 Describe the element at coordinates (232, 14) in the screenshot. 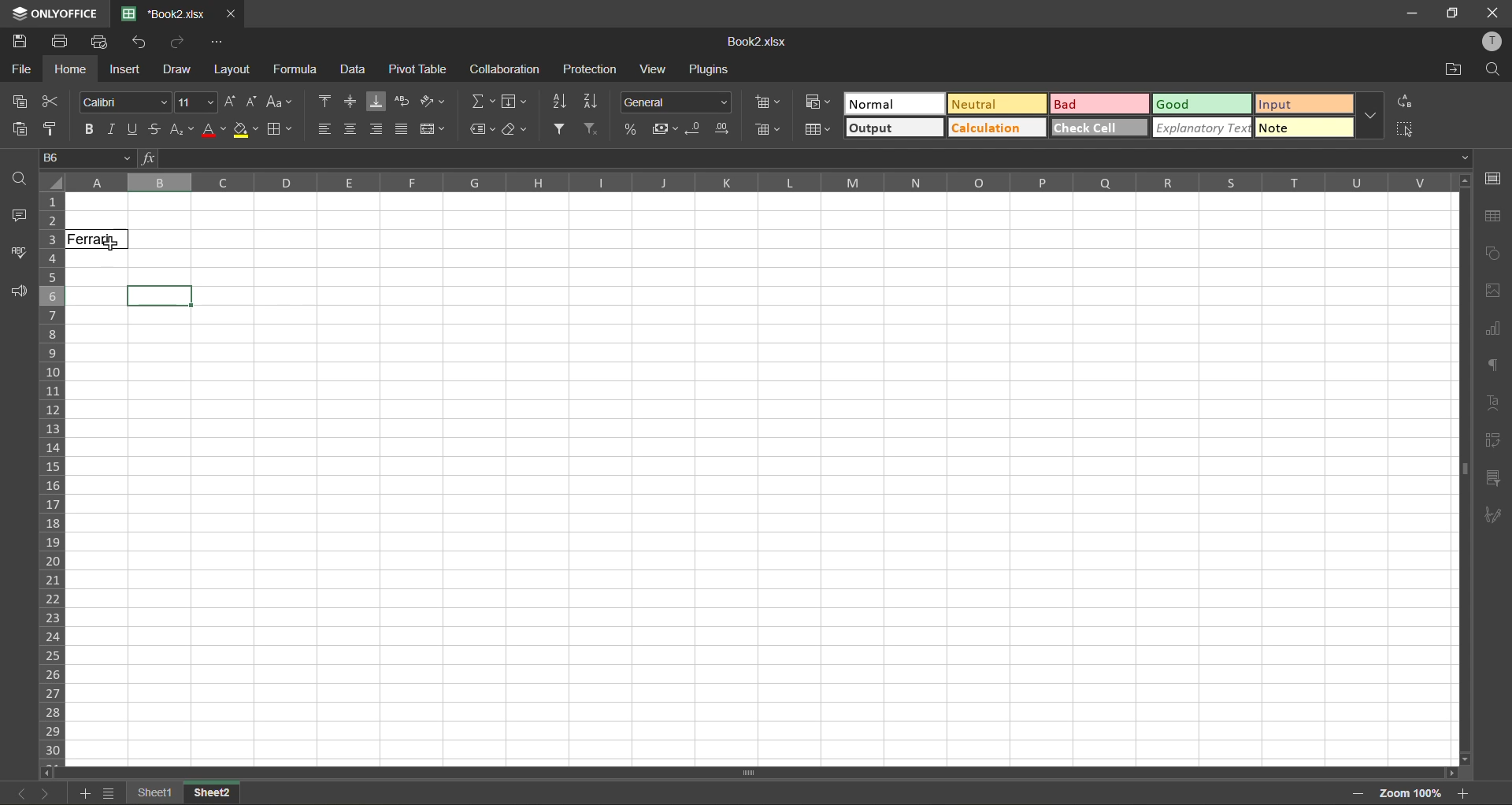

I see `close` at that location.